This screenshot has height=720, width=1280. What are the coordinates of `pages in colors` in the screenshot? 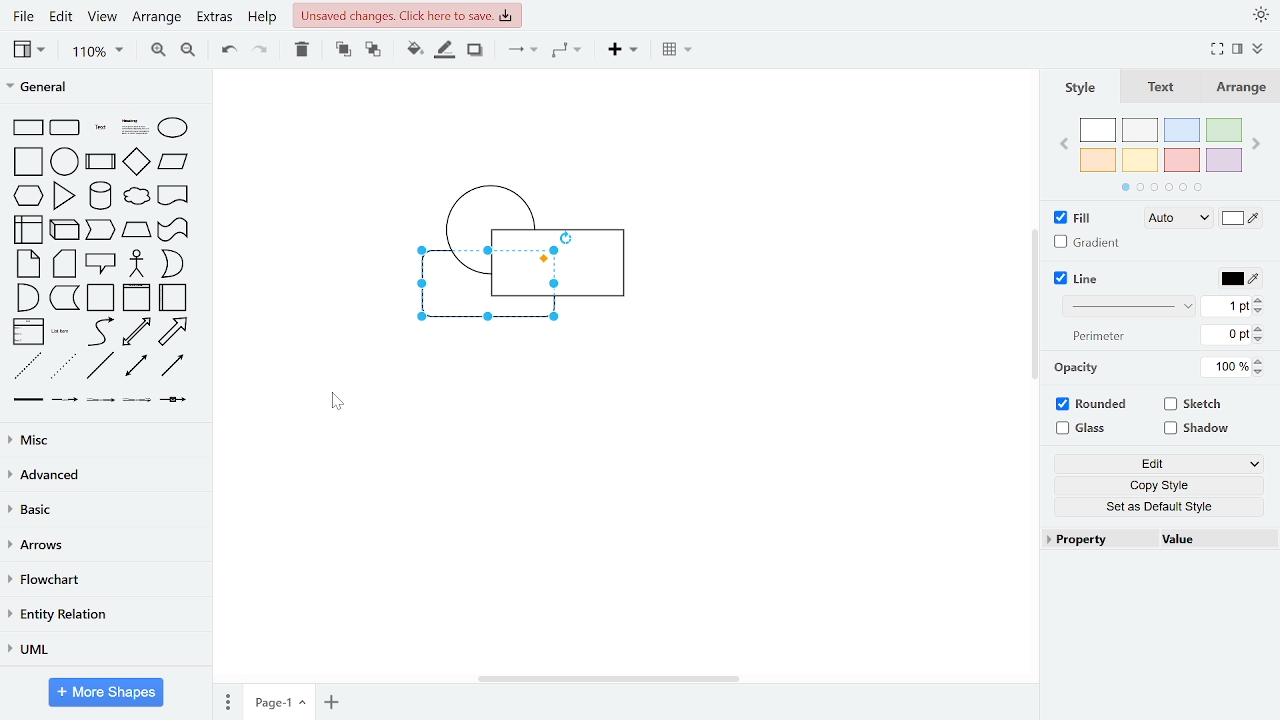 It's located at (1162, 187).